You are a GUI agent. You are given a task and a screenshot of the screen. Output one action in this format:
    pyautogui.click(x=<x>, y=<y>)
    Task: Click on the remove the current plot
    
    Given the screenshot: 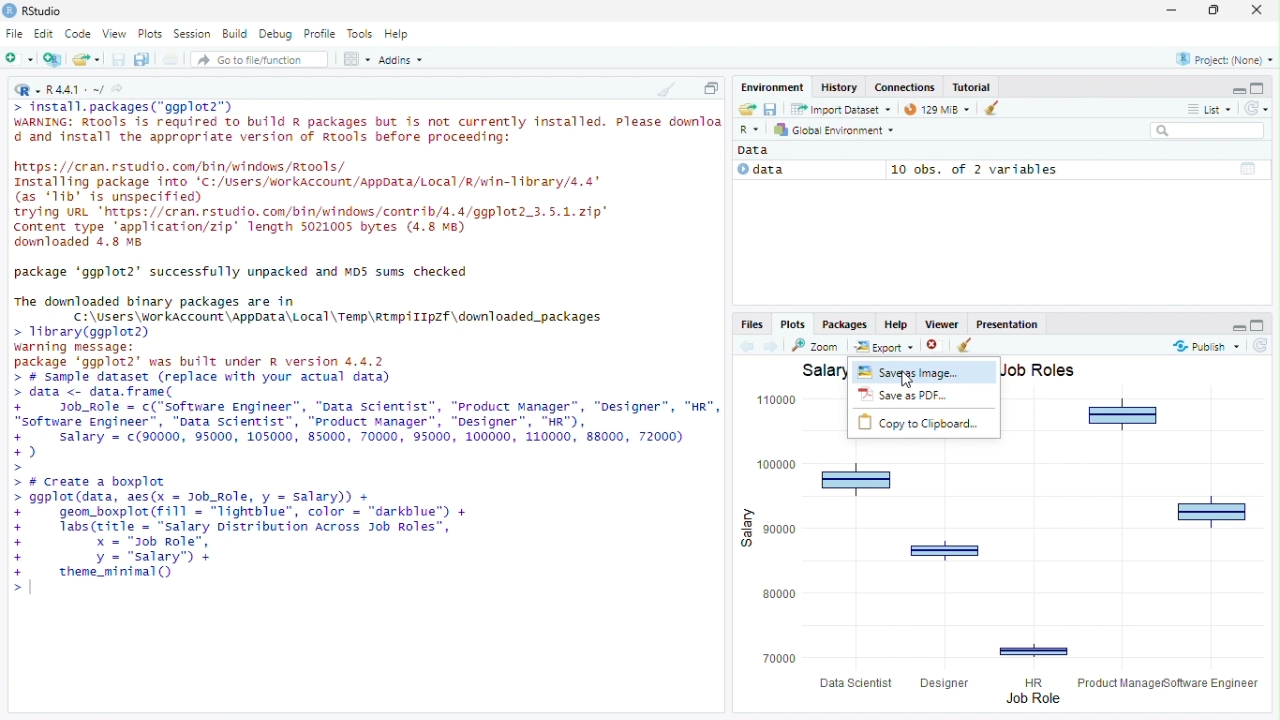 What is the action you would take?
    pyautogui.click(x=937, y=345)
    